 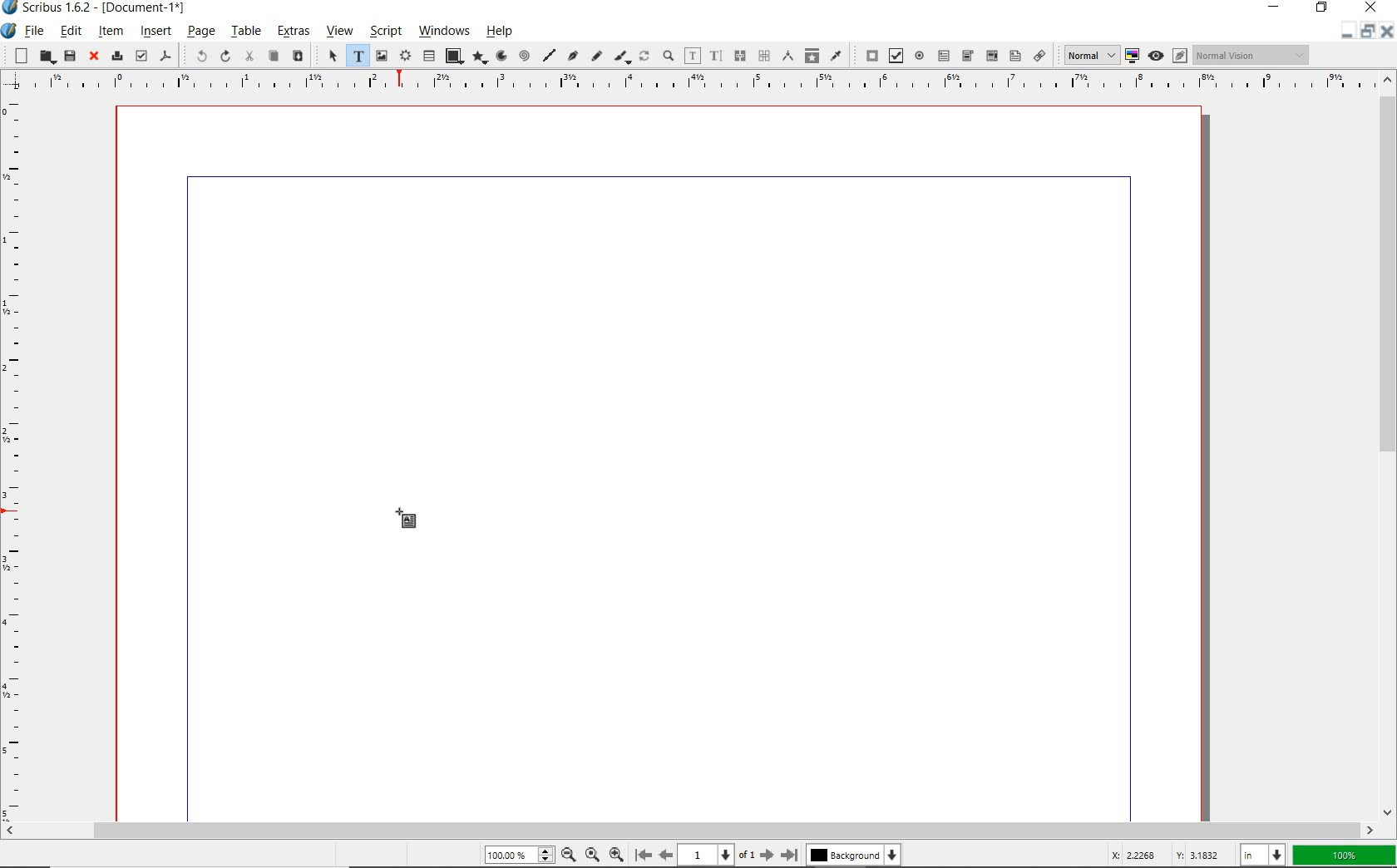 I want to click on calligraphic line, so click(x=622, y=57).